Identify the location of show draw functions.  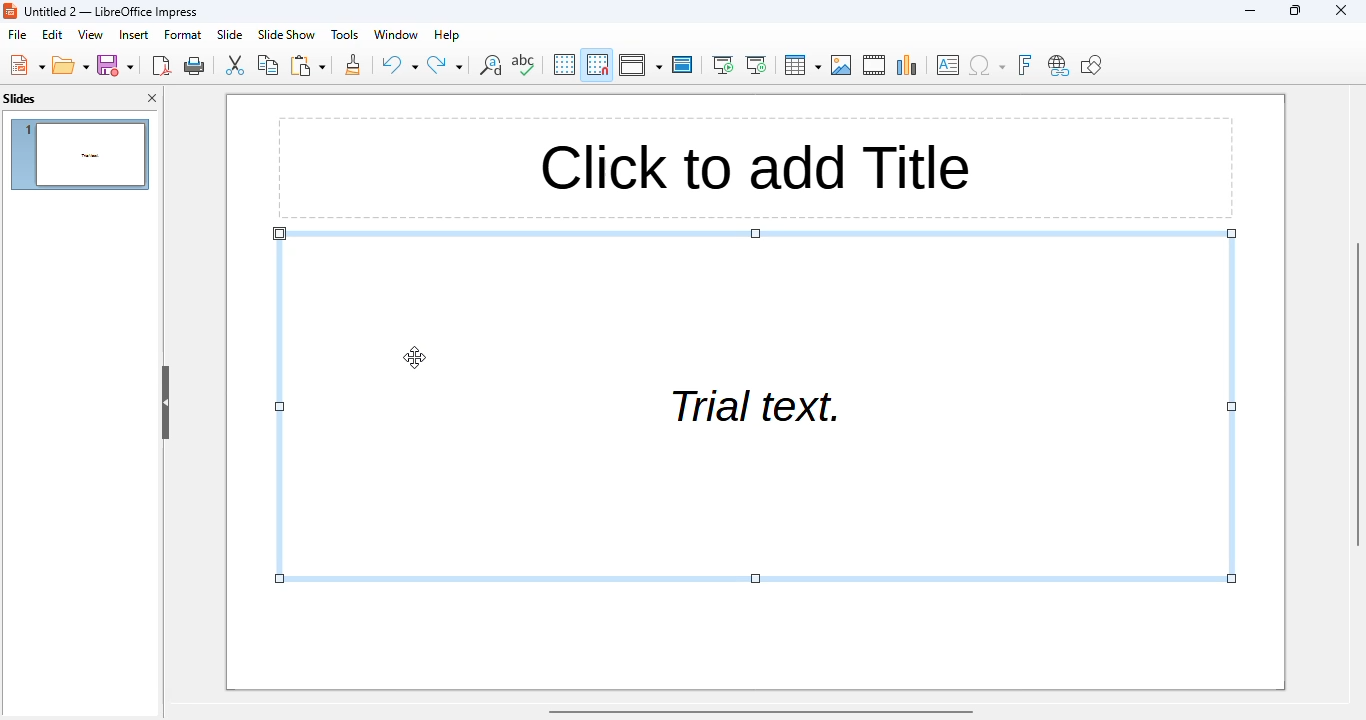
(1091, 64).